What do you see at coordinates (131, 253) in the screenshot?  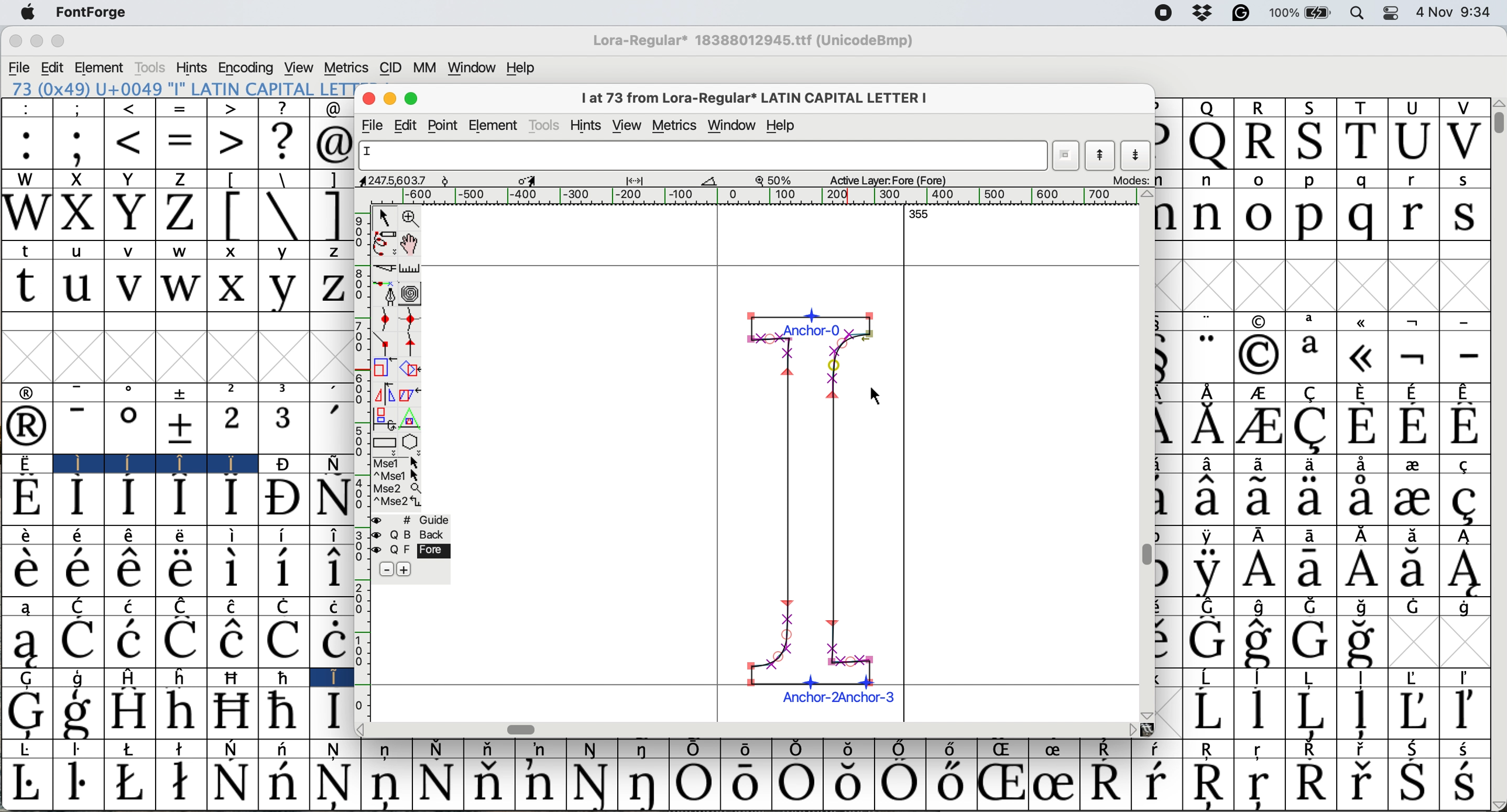 I see `v` at bounding box center [131, 253].